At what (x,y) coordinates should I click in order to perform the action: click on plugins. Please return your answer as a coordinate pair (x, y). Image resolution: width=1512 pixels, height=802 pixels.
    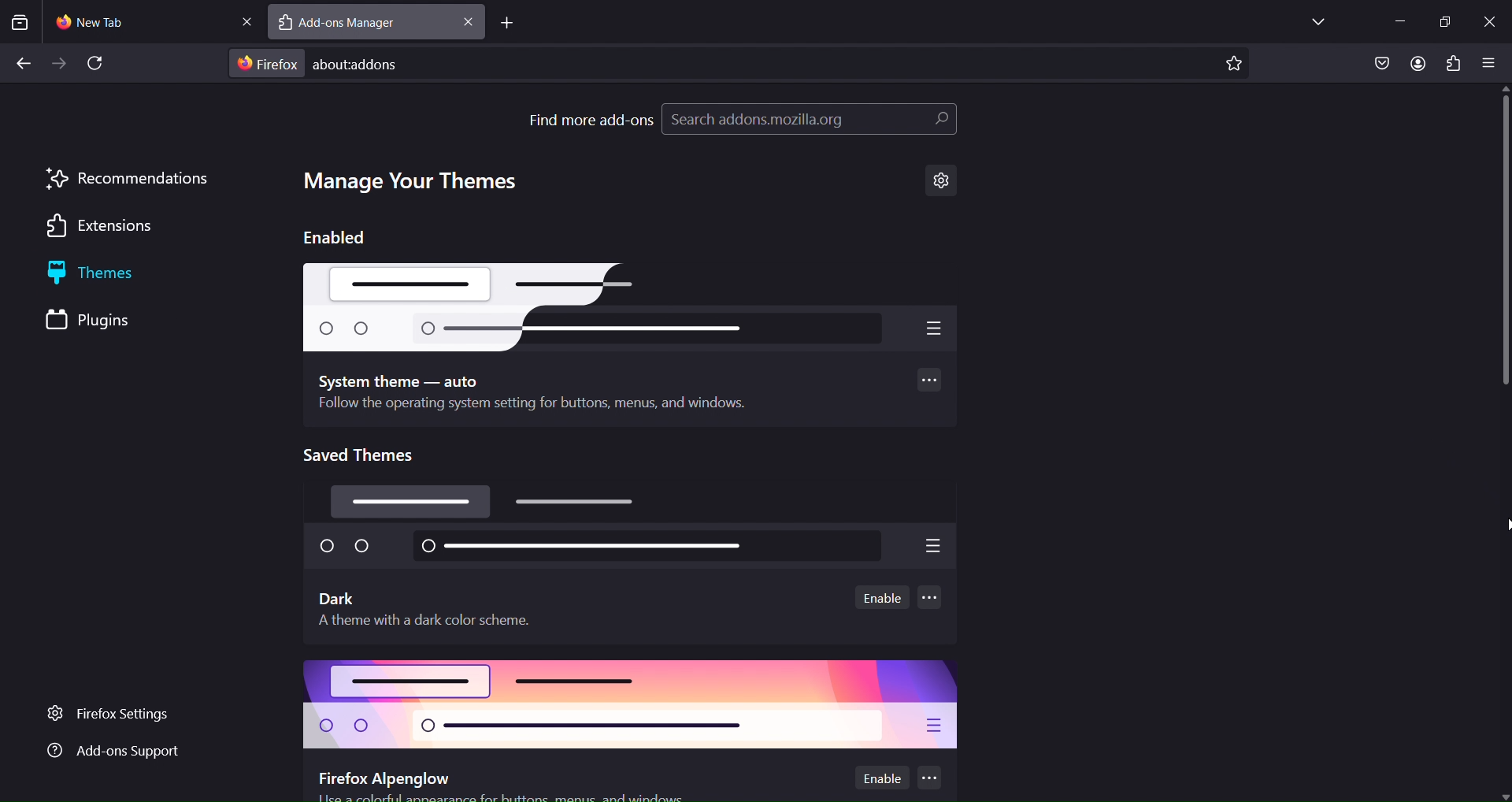
    Looking at the image, I should click on (105, 321).